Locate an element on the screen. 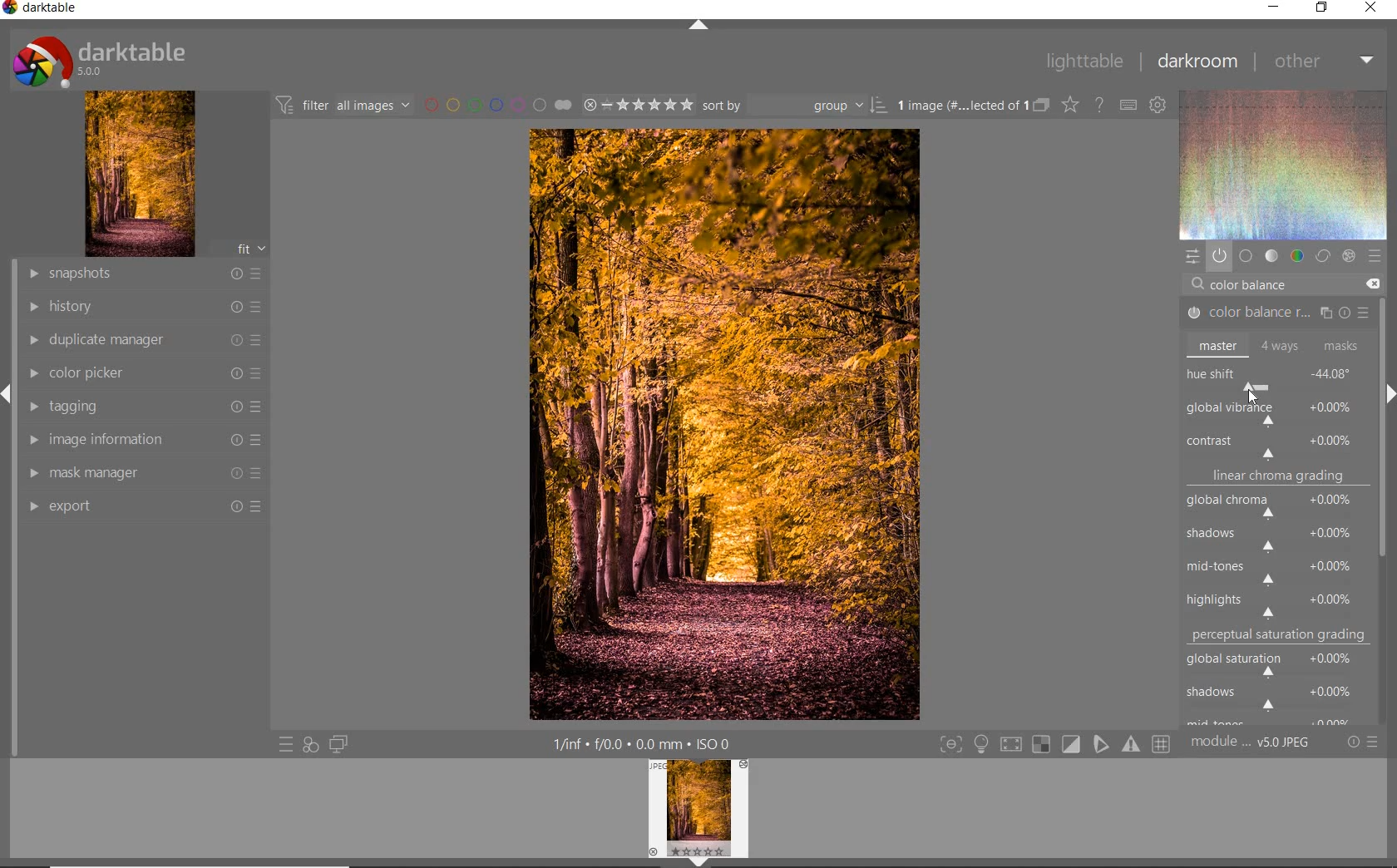 Image resolution: width=1397 pixels, height=868 pixels. change type of overlay is located at coordinates (1069, 106).